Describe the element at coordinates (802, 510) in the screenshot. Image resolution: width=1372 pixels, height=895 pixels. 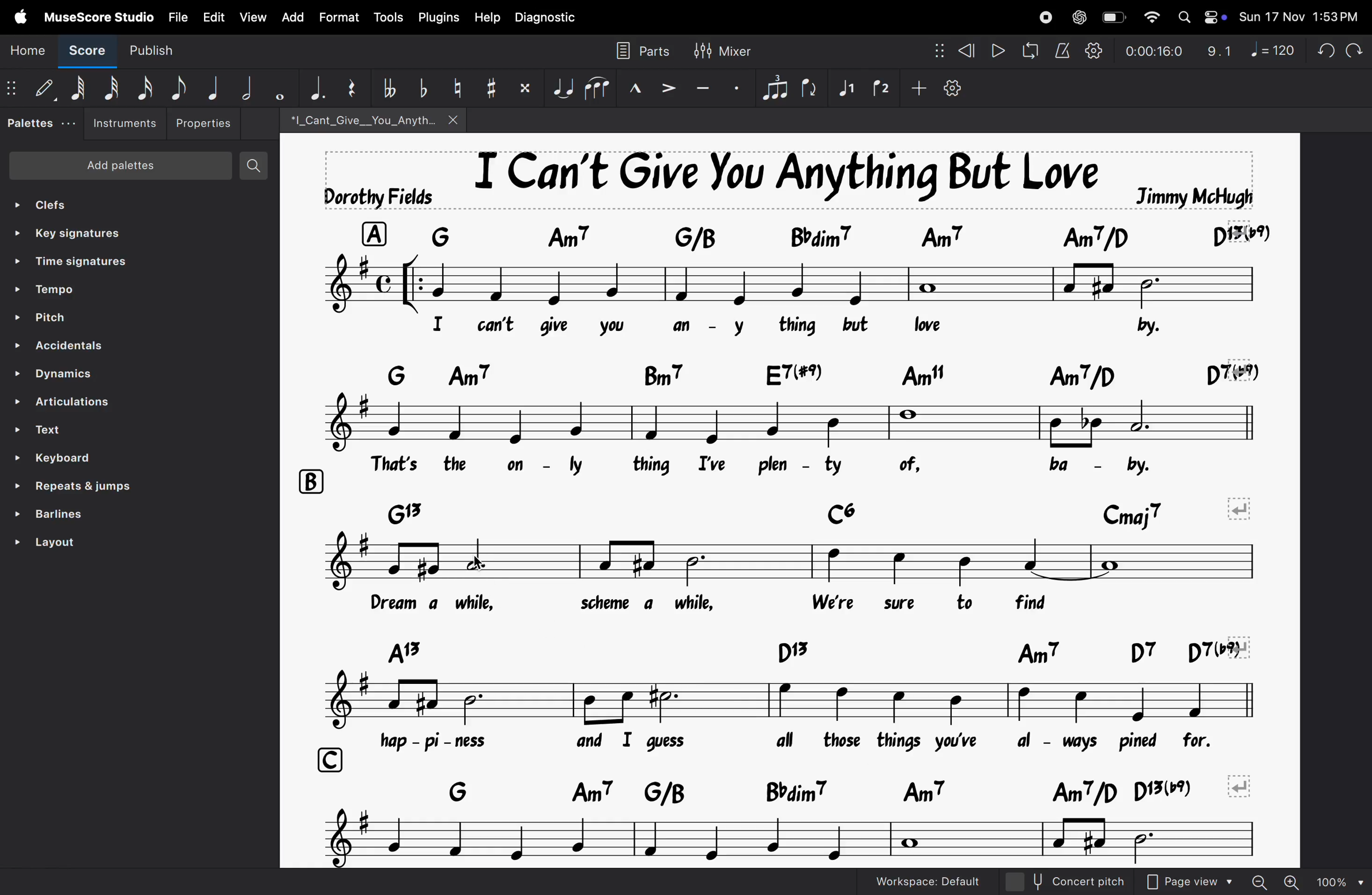
I see `keys` at that location.